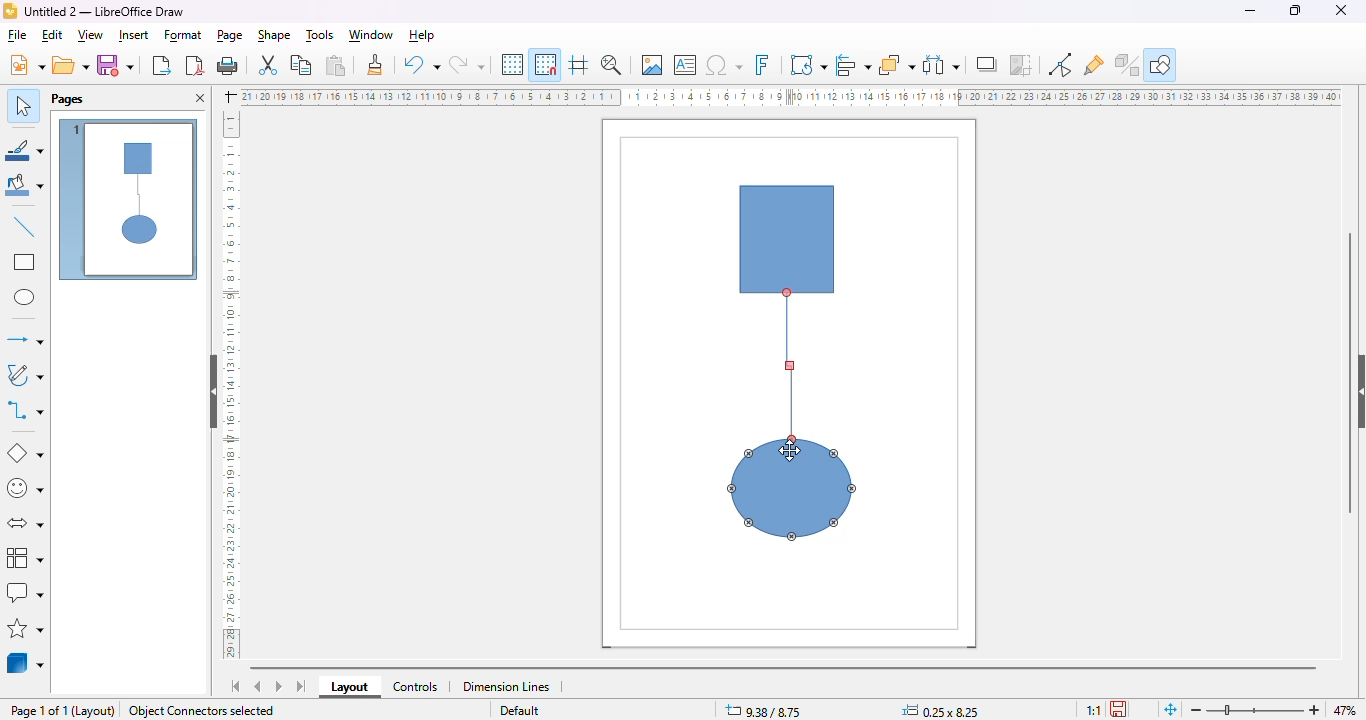  I want to click on snap to grid, so click(546, 64).